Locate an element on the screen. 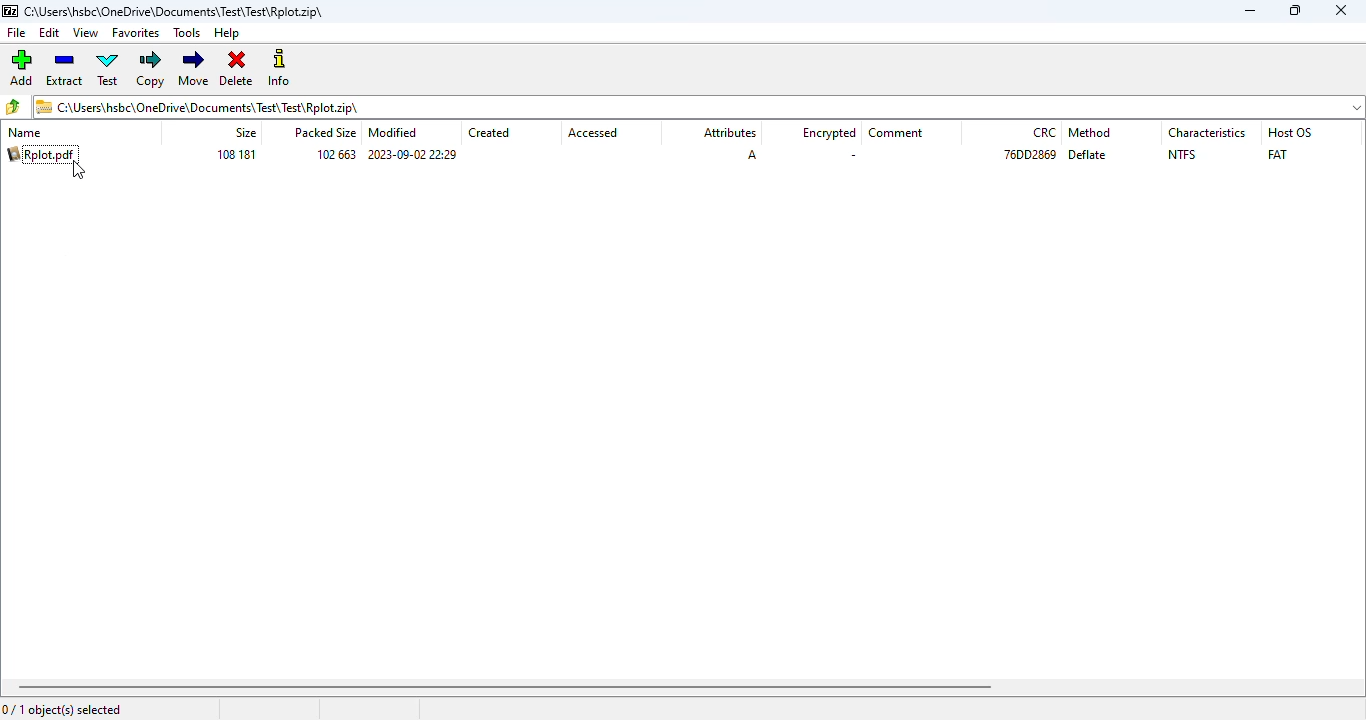 The height and width of the screenshot is (720, 1366). created is located at coordinates (491, 132).